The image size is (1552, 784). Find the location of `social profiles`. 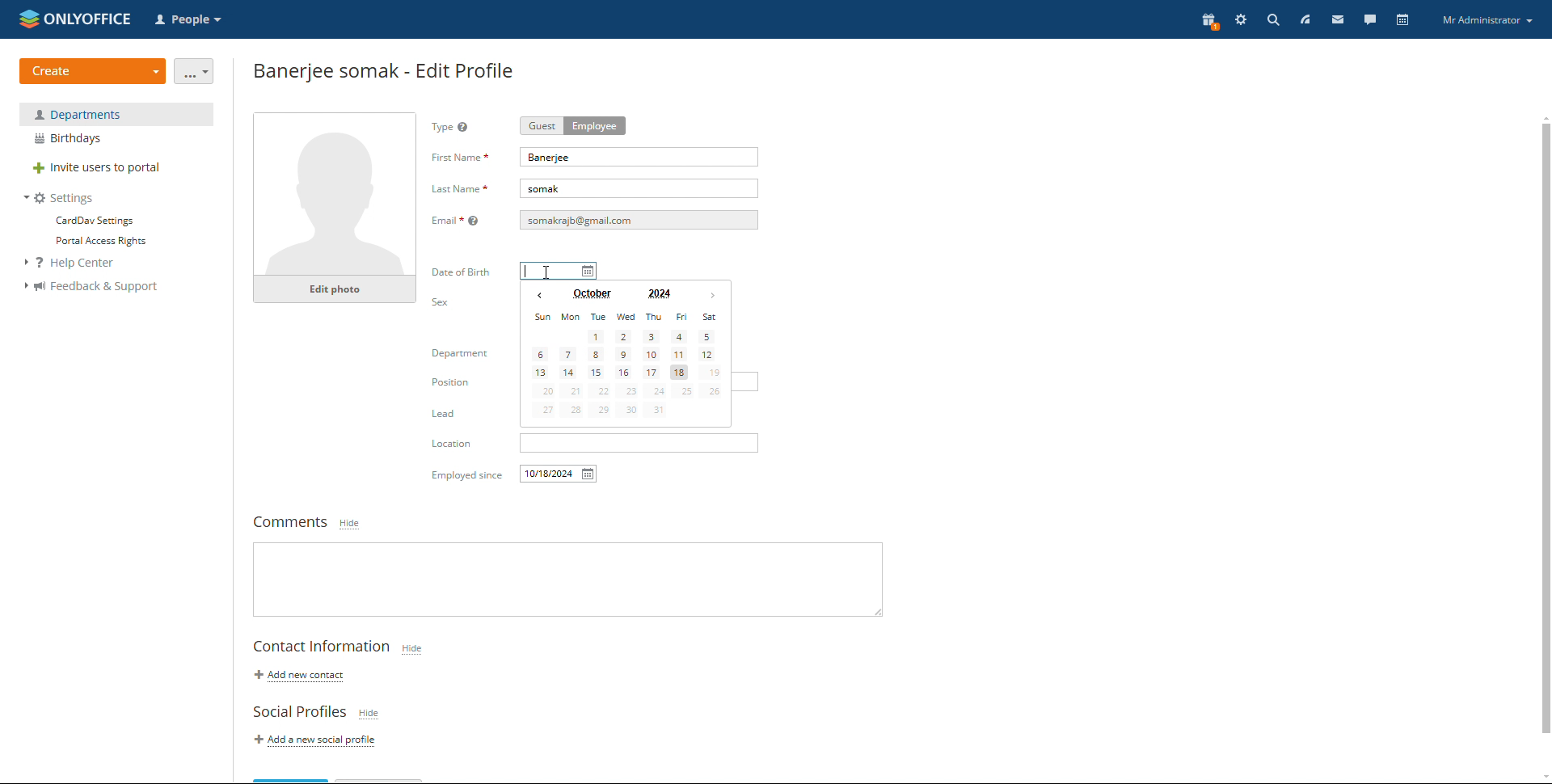

social profiles is located at coordinates (298, 712).